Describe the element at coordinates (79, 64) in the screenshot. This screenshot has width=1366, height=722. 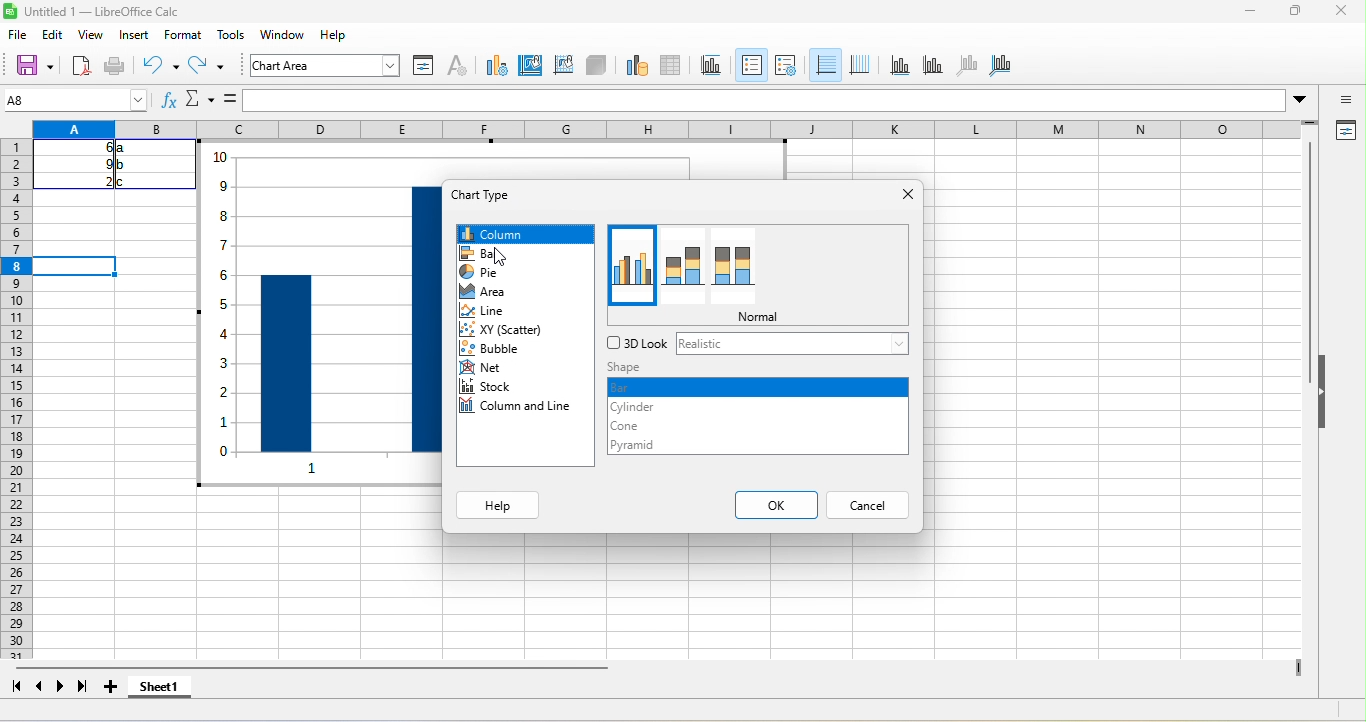
I see `open` at that location.